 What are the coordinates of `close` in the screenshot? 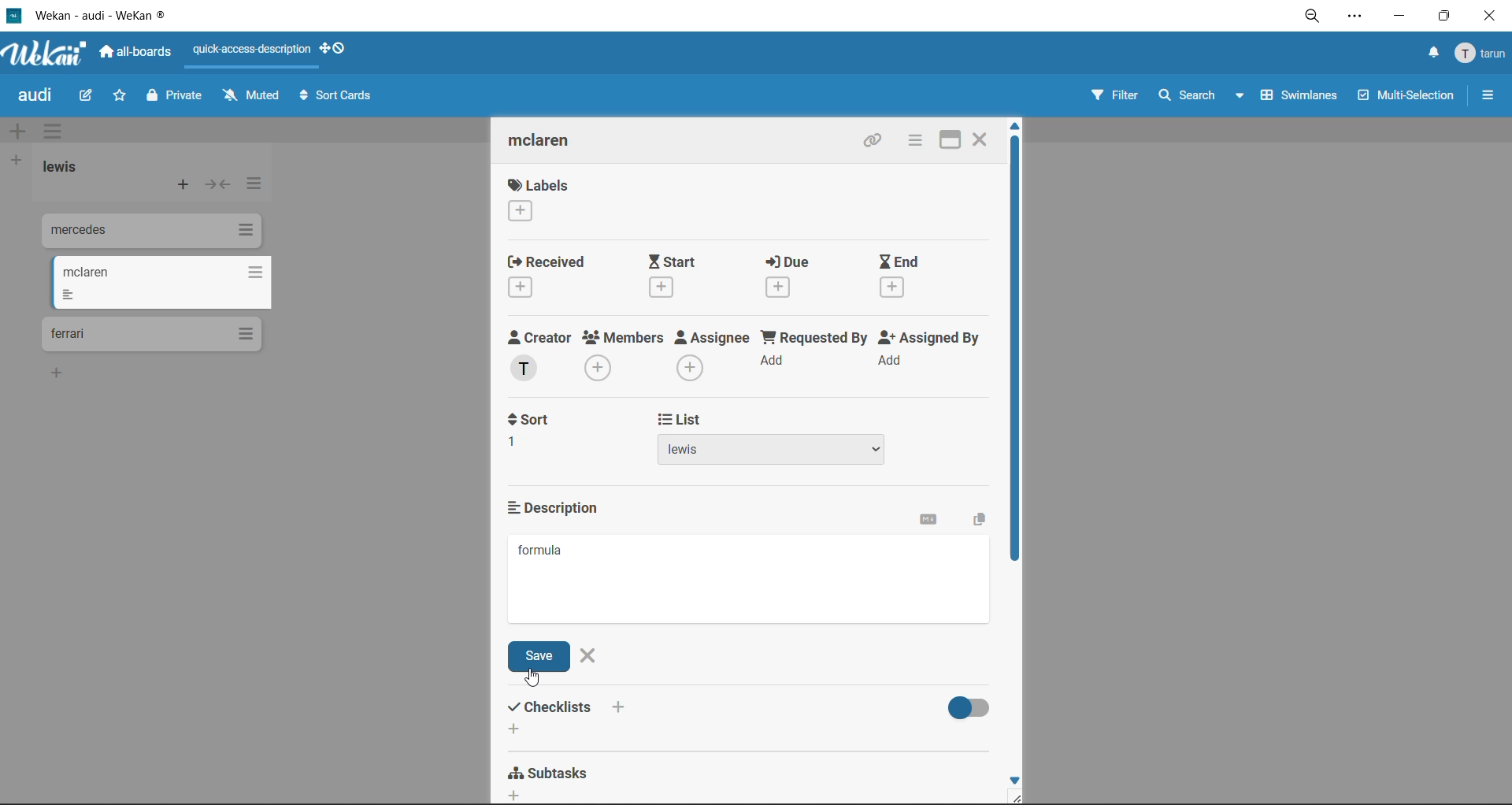 It's located at (1494, 16).